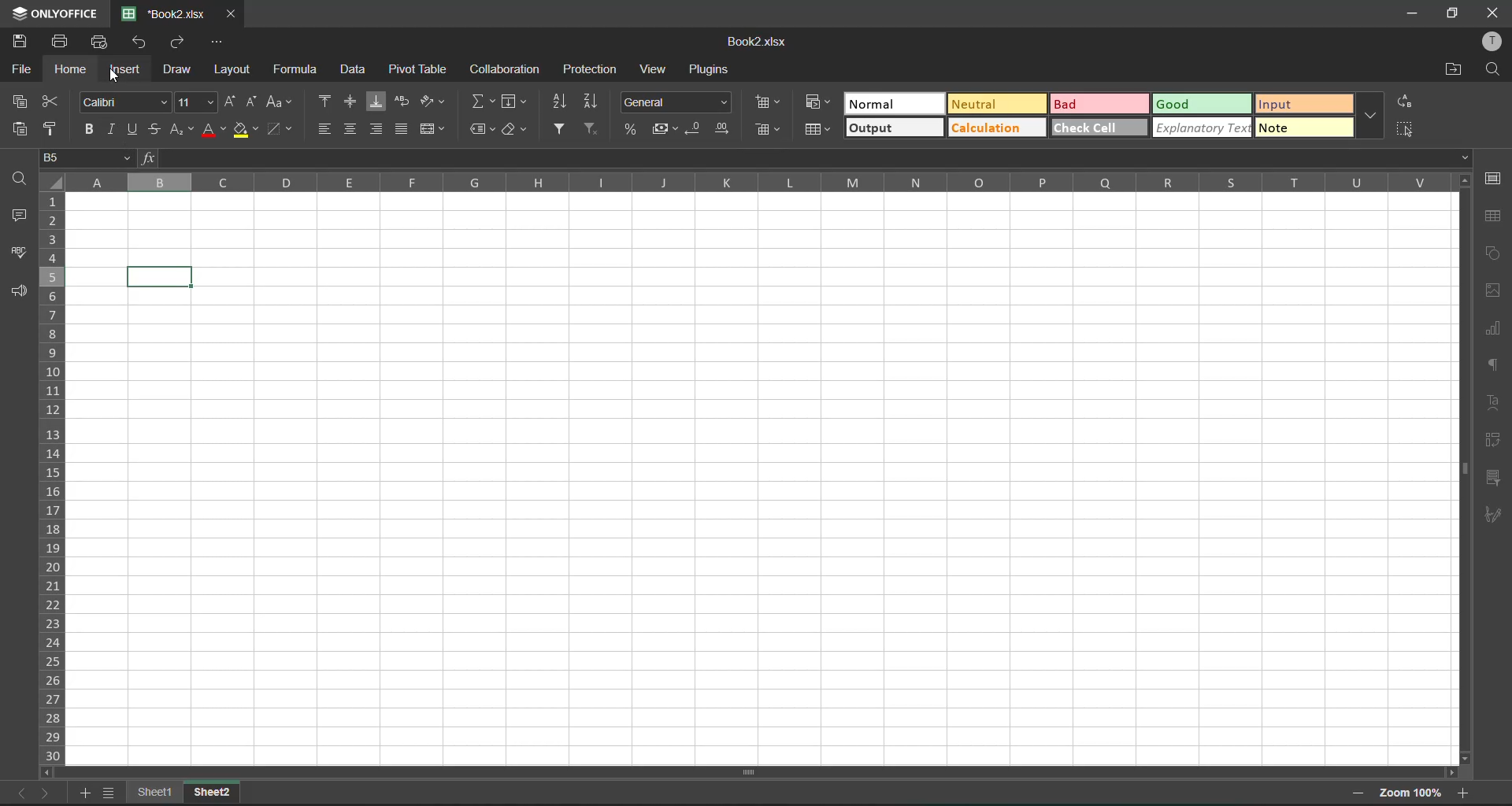 Image resolution: width=1512 pixels, height=806 pixels. I want to click on font size, so click(192, 102).